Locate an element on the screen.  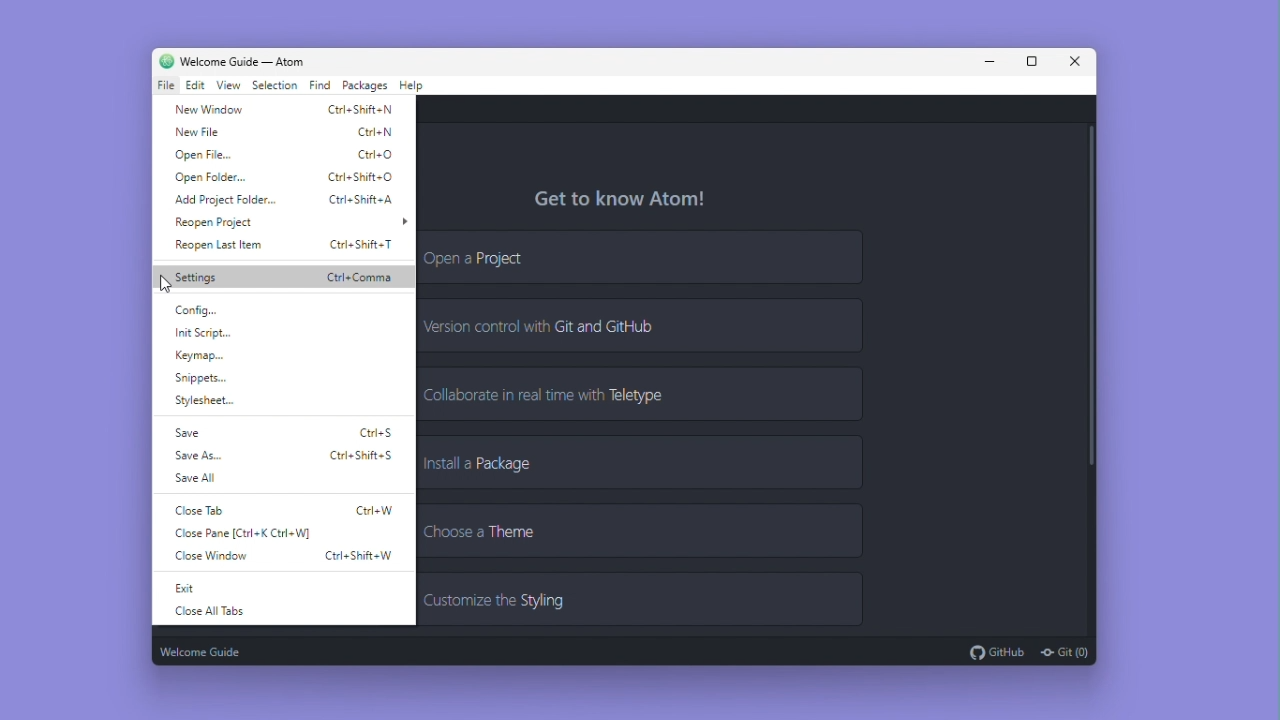
Open a project is located at coordinates (641, 257).